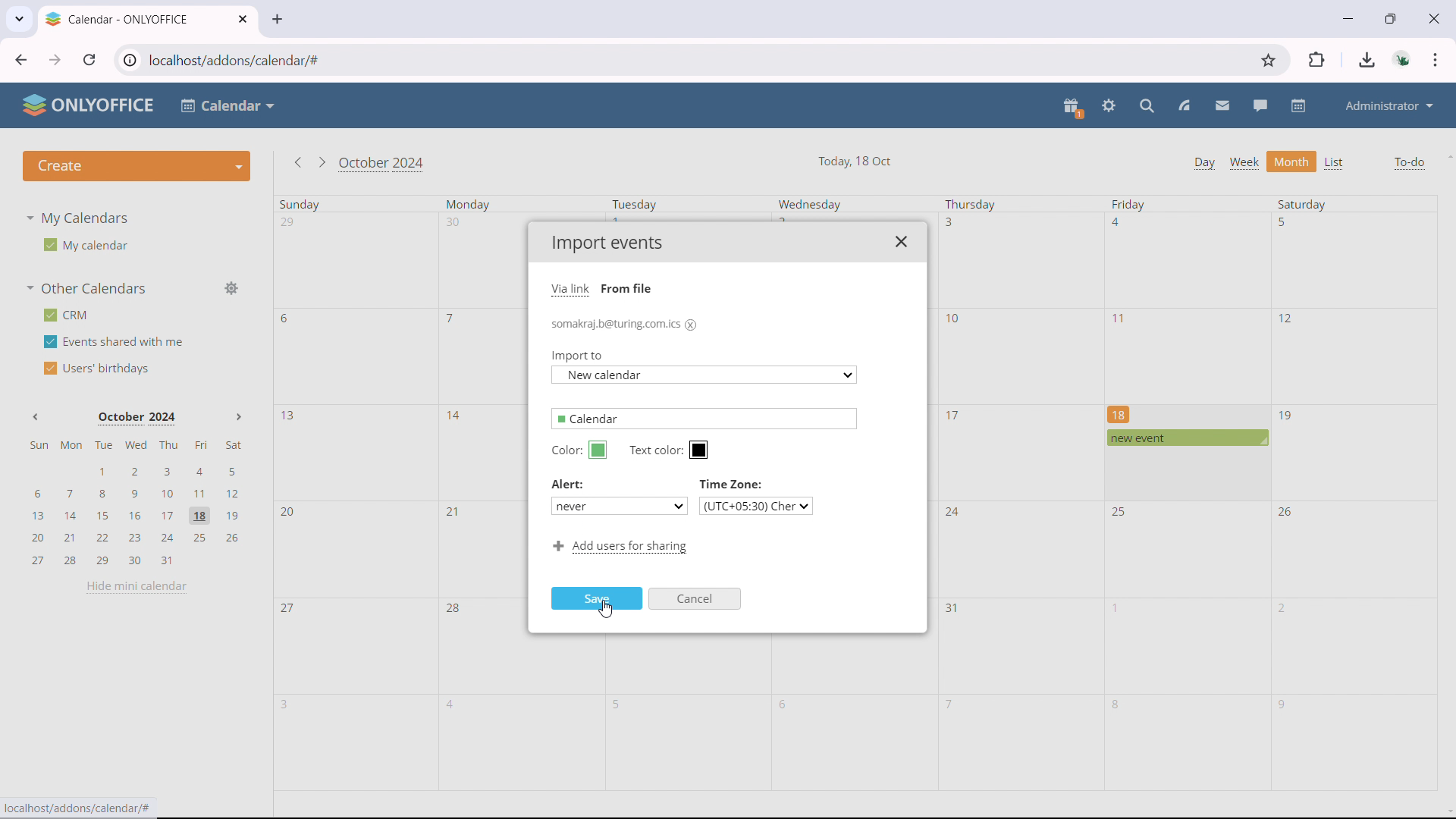  I want to click on somakraj.b@turing.com.ics, so click(623, 325).